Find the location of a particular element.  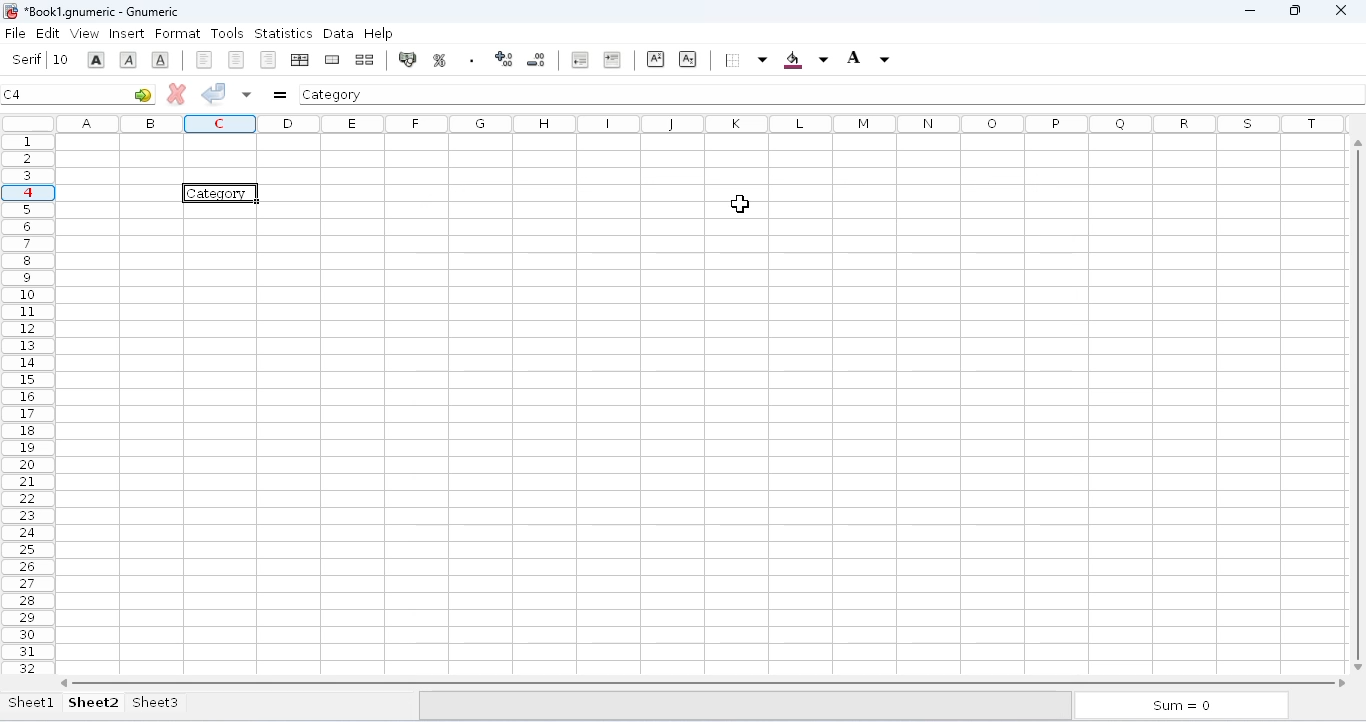

set the format of the selected cells to include a thousands separator is located at coordinates (508, 61).